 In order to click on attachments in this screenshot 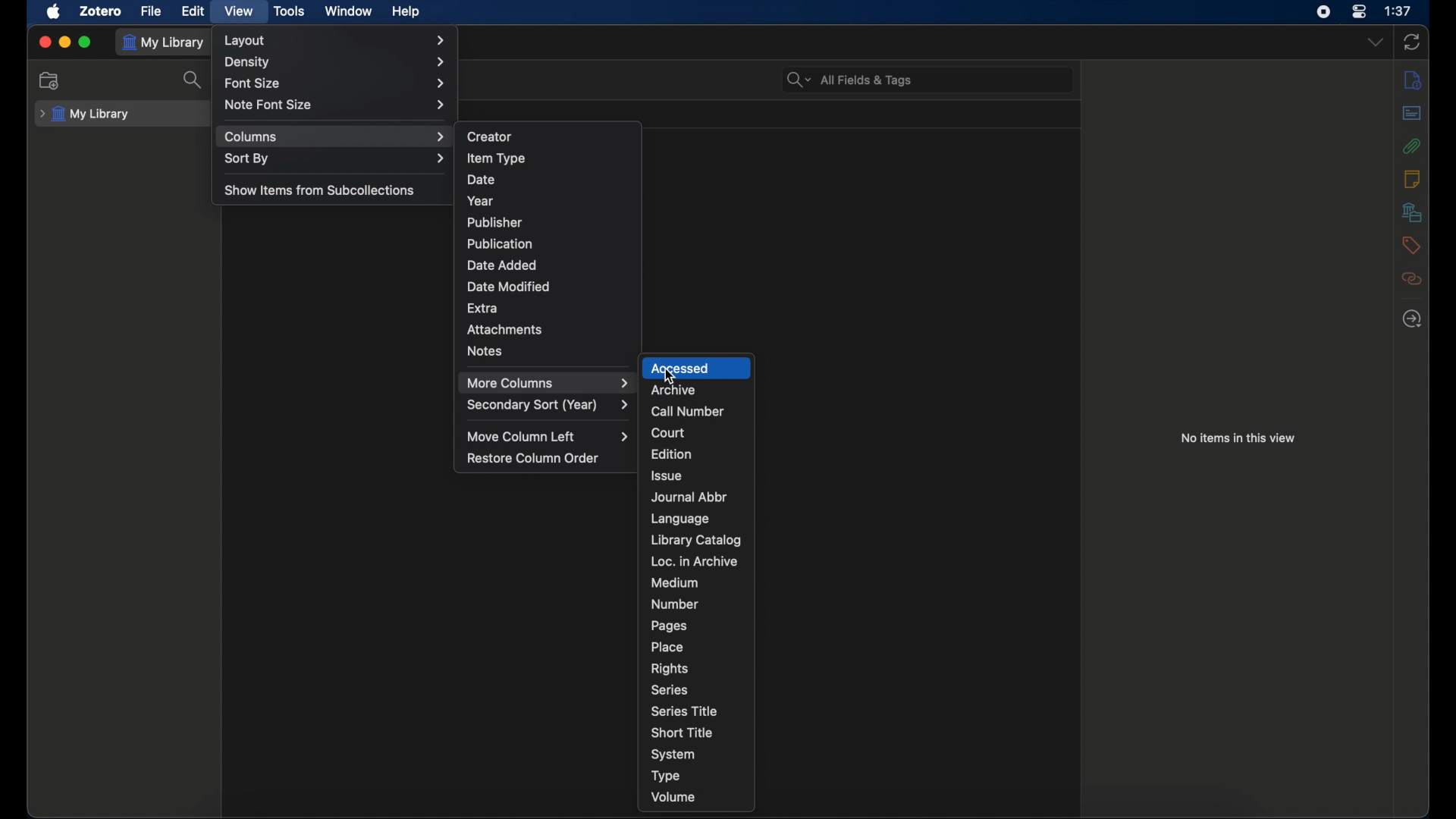, I will do `click(1411, 146)`.